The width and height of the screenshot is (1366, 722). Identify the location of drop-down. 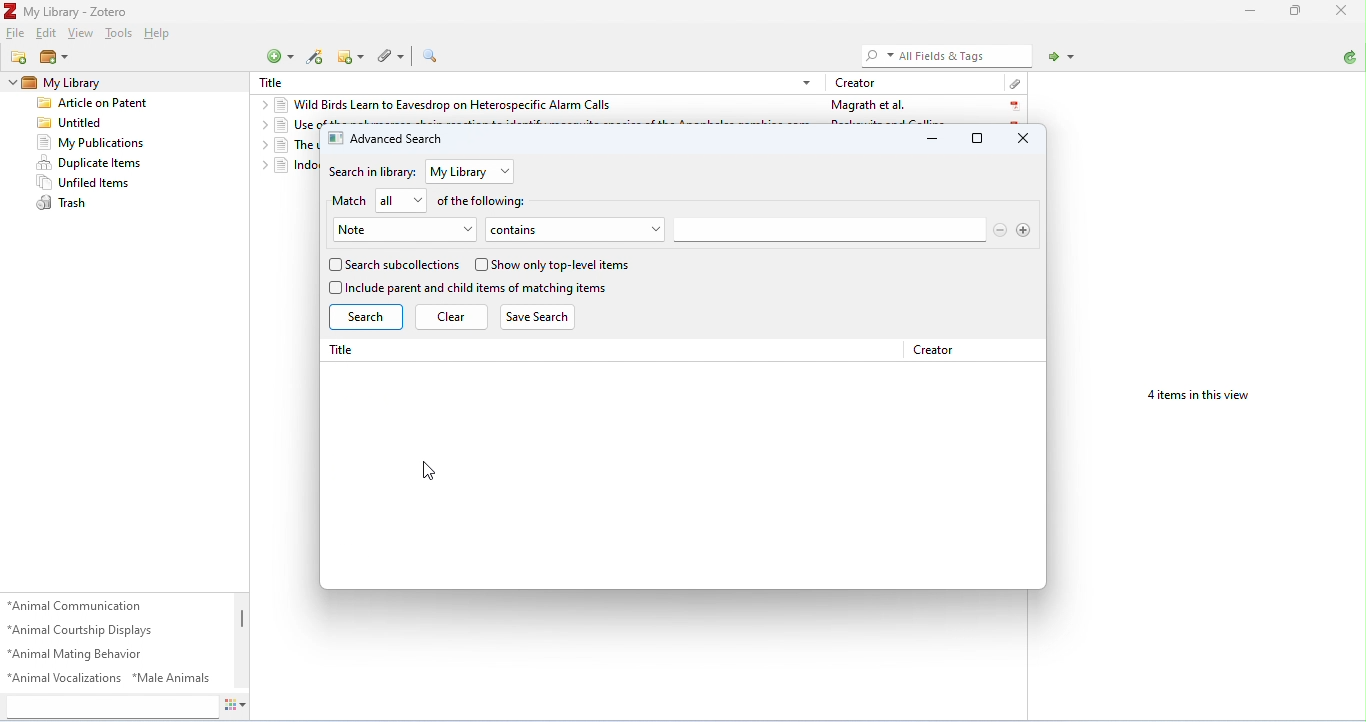
(652, 229).